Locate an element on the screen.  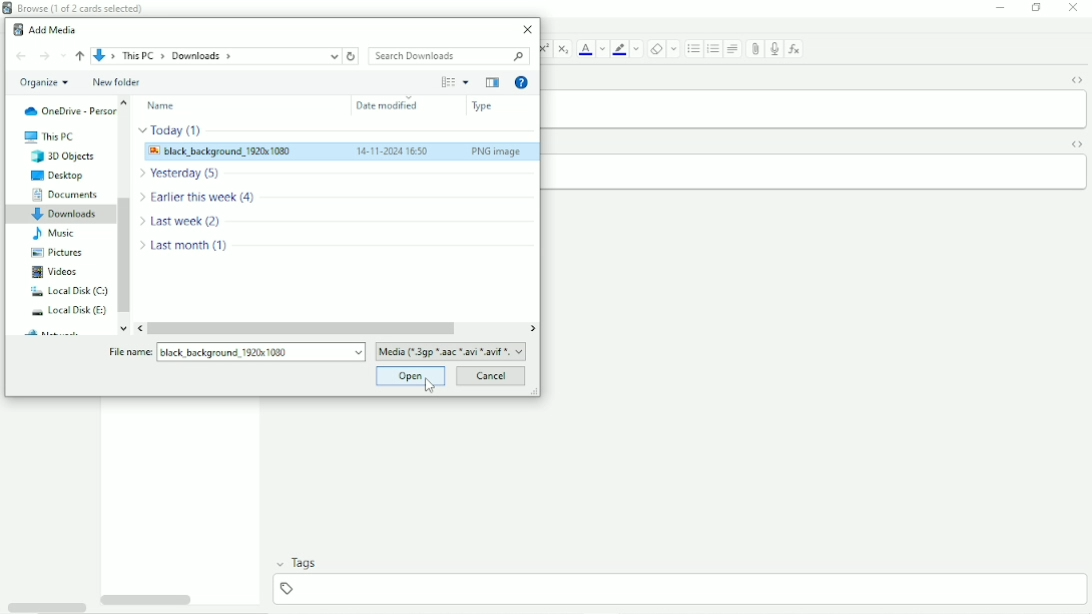
Organize is located at coordinates (44, 83).